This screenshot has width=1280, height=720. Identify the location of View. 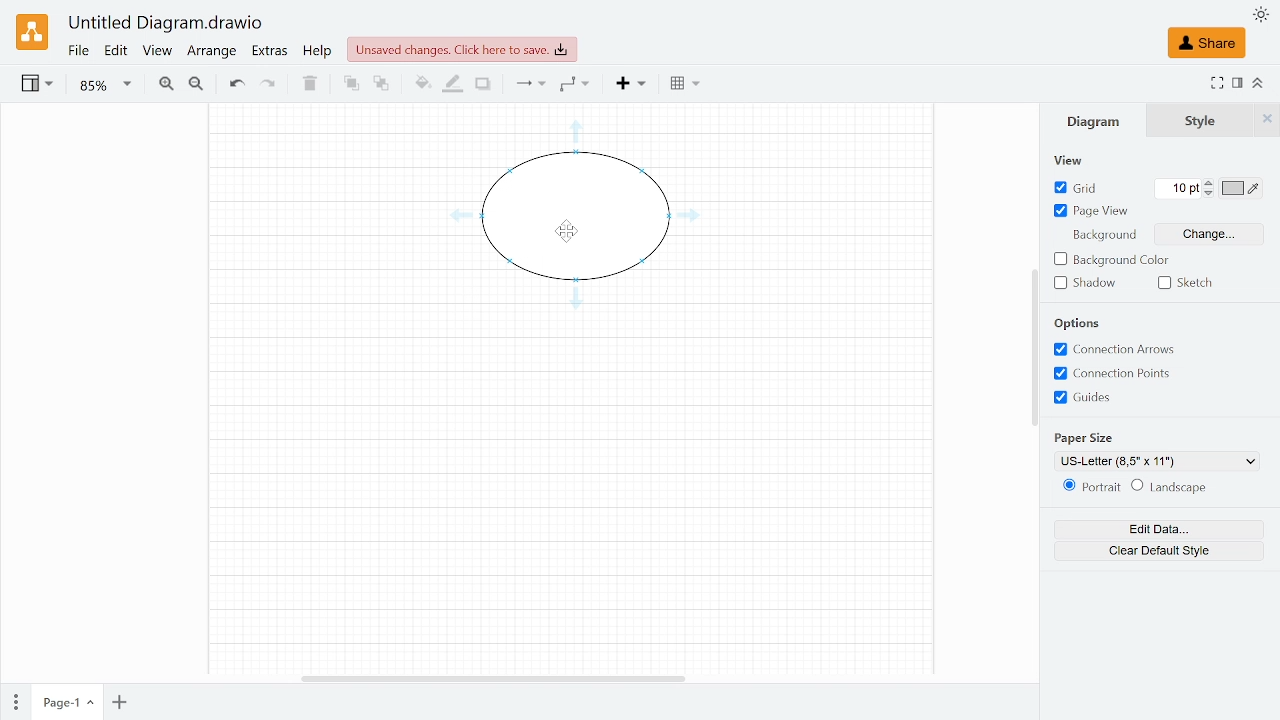
(39, 86).